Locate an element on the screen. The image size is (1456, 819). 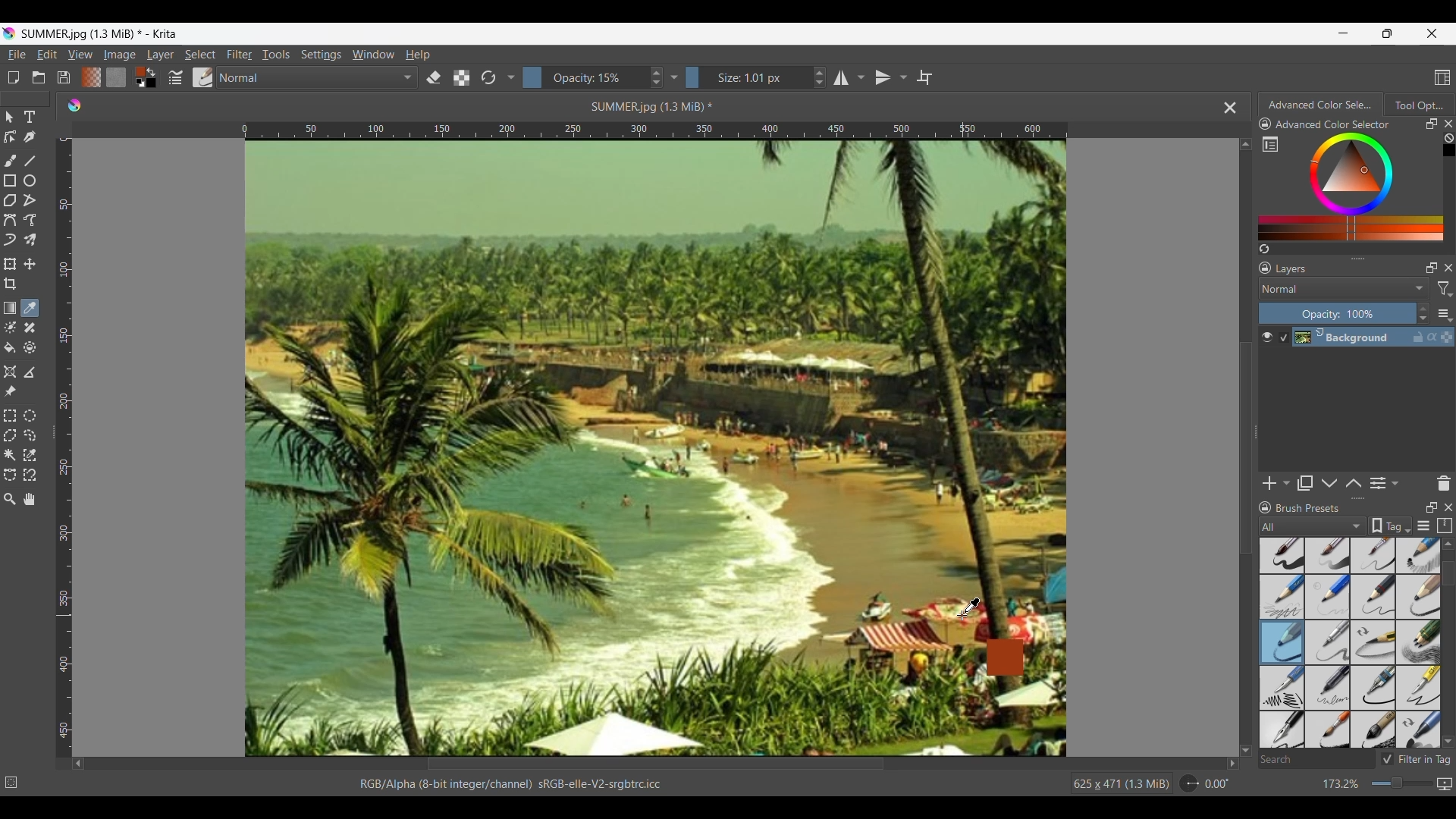
625 x 471 (13 MiB) is located at coordinates (1119, 785).